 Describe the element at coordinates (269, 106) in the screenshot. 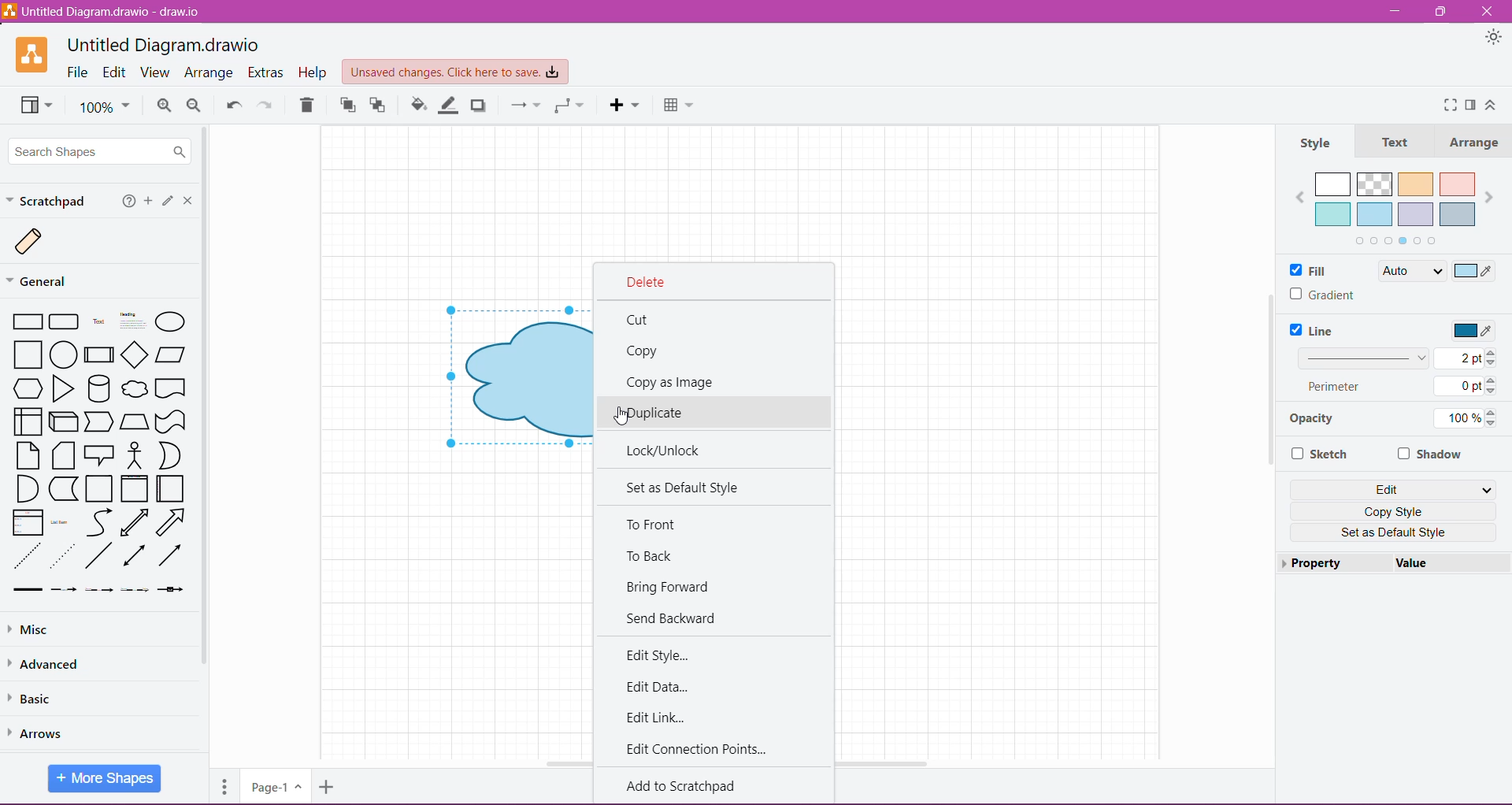

I see `Redo` at that location.